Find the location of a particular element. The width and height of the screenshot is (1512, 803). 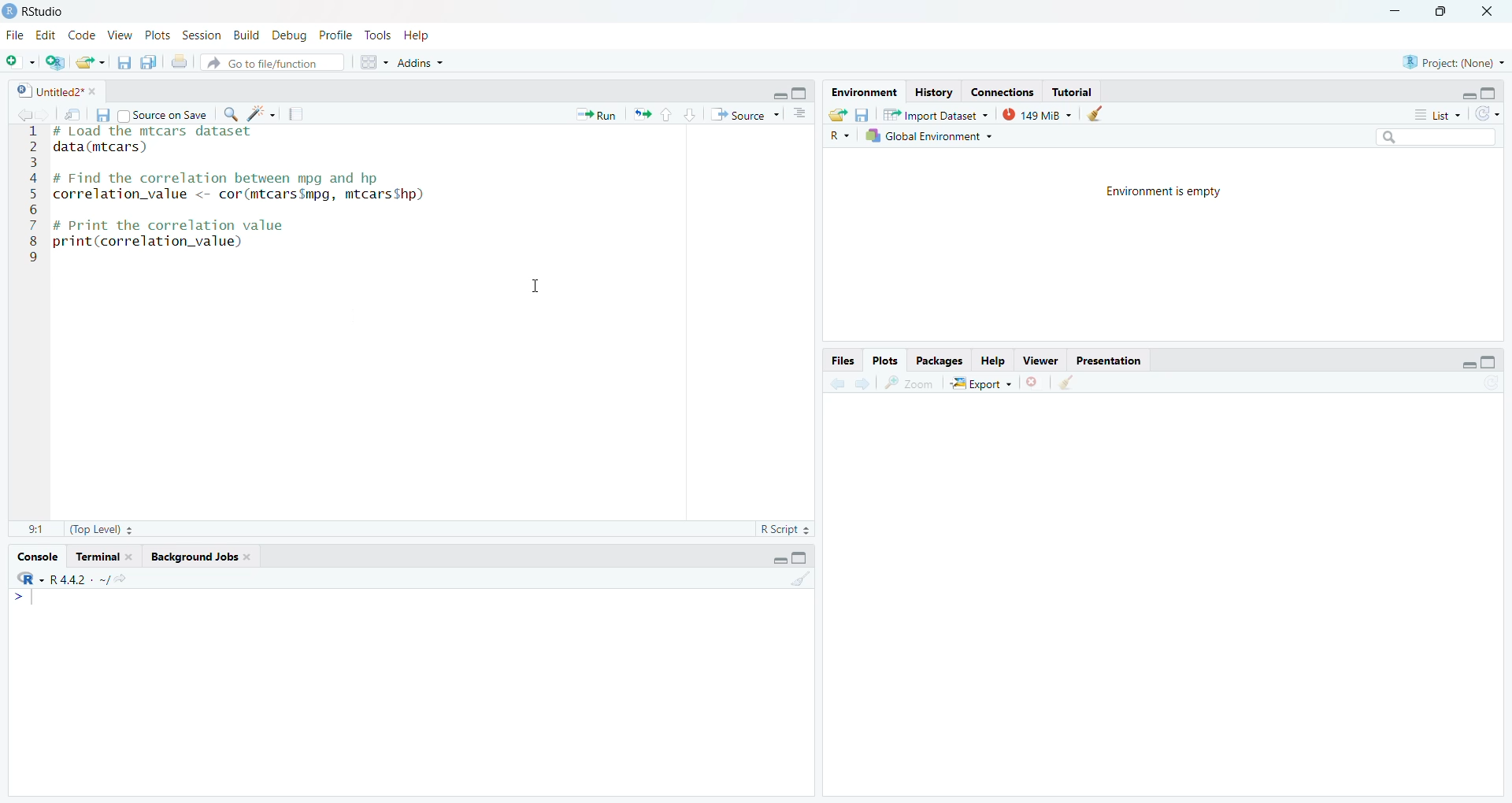

Tools is located at coordinates (376, 35).